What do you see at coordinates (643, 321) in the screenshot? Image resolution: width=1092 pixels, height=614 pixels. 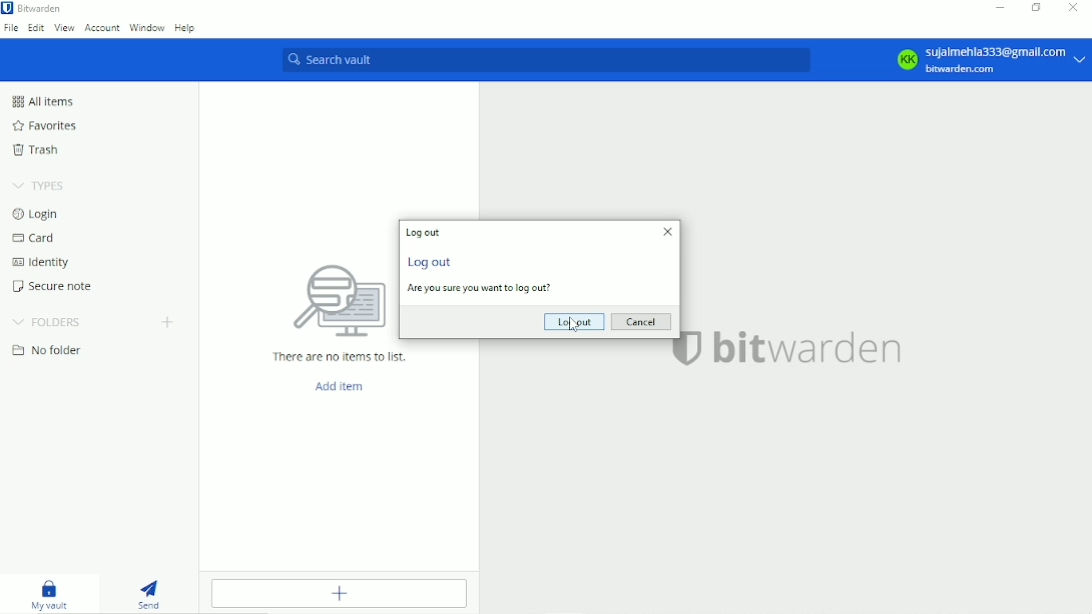 I see `Cancel` at bounding box center [643, 321].